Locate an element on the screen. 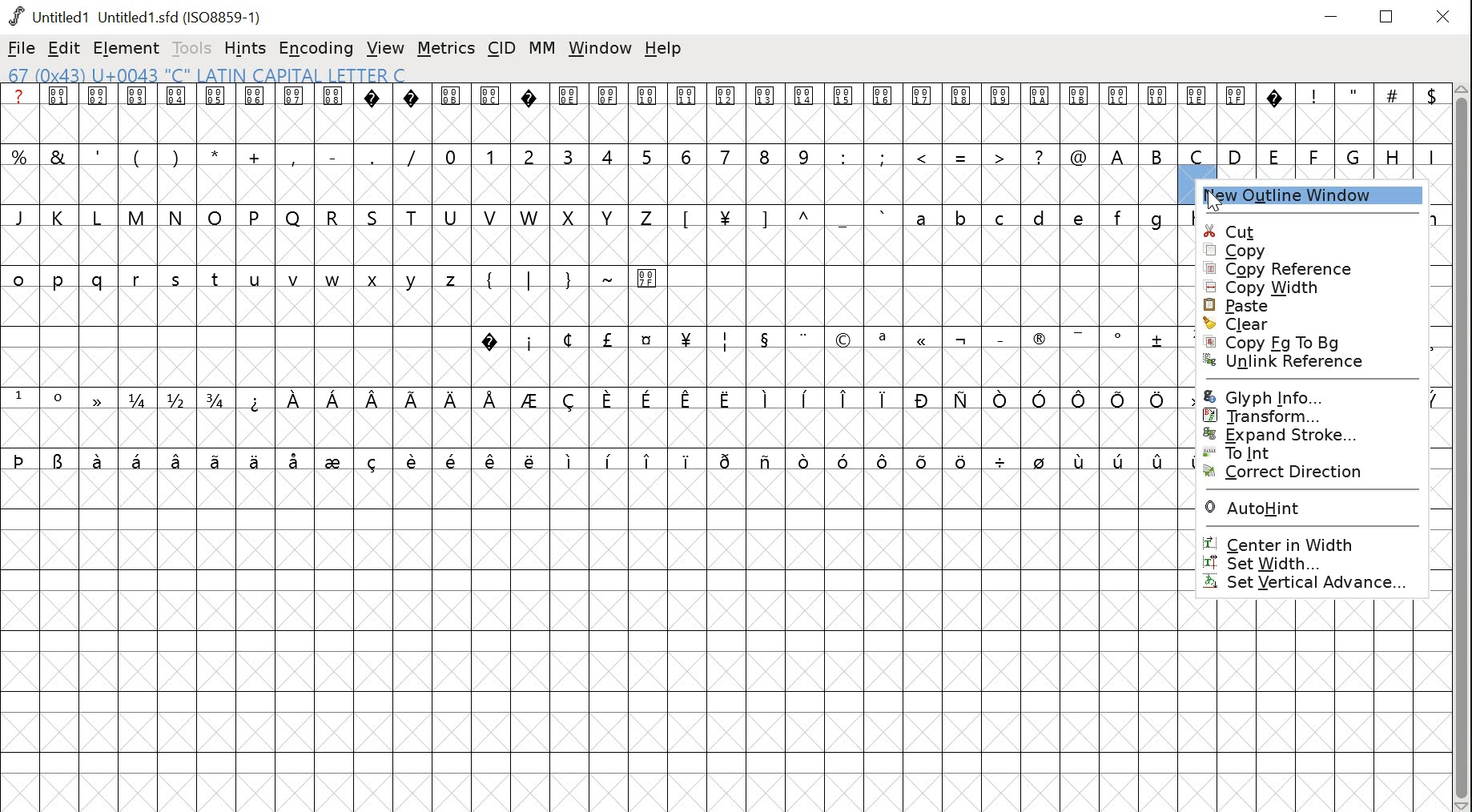 Image resolution: width=1472 pixels, height=812 pixels. 67 (0x43) U+0043 "C" LATIN CAPITAL LETTER C is located at coordinates (210, 75).